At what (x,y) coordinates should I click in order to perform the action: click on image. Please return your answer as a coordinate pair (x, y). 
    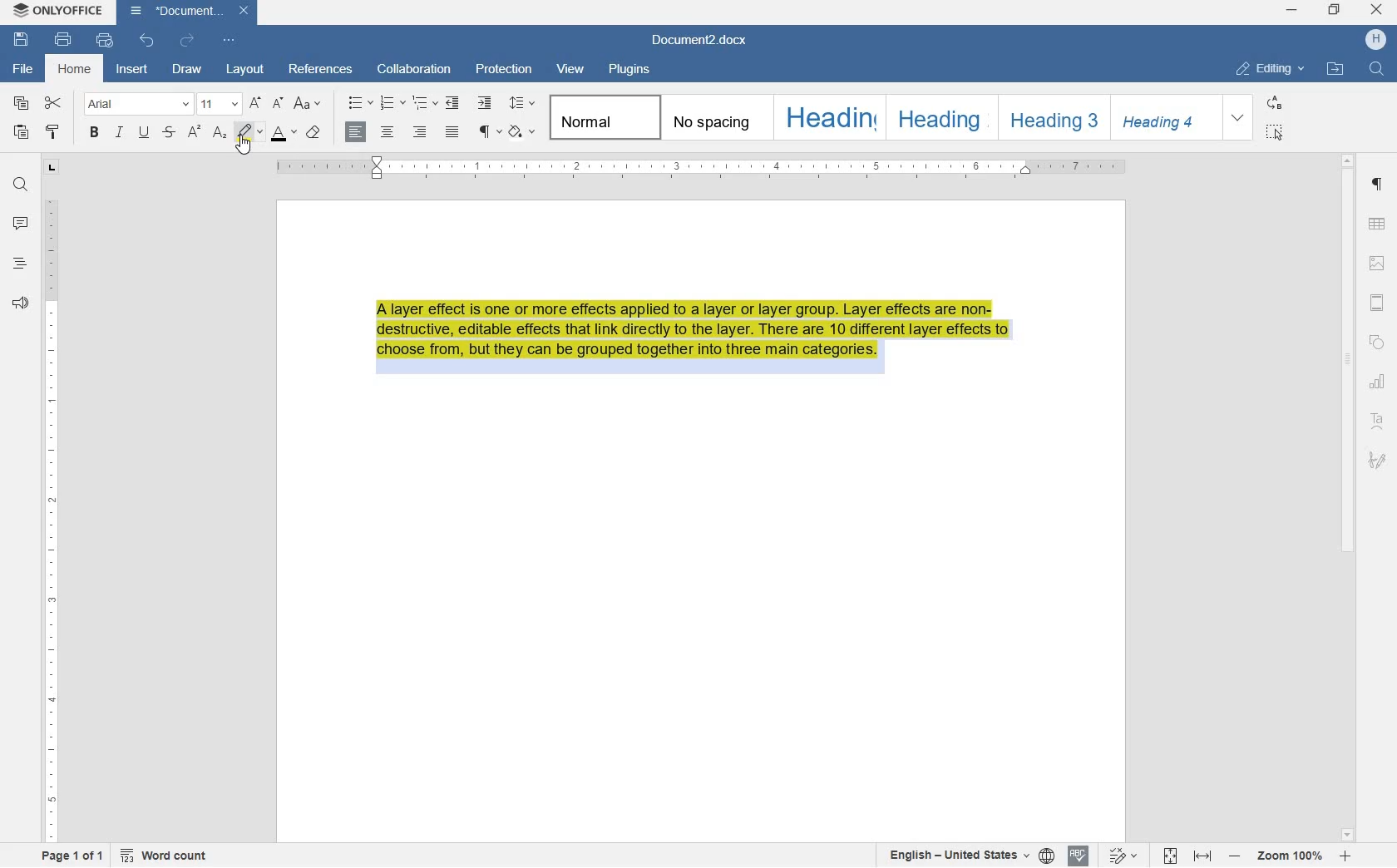
    Looking at the image, I should click on (1377, 264).